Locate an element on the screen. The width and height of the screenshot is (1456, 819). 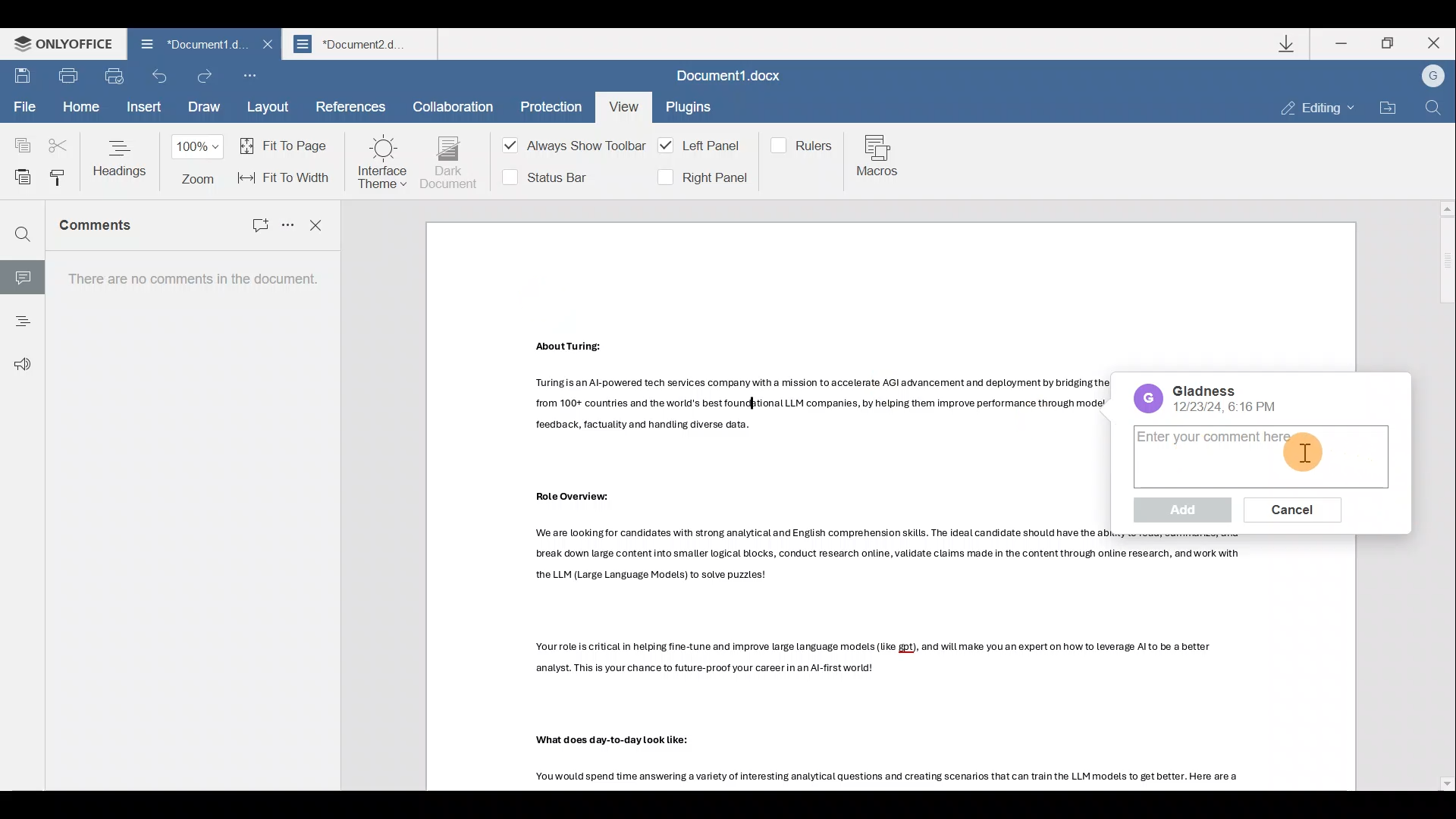
Document1.docx is located at coordinates (733, 78).